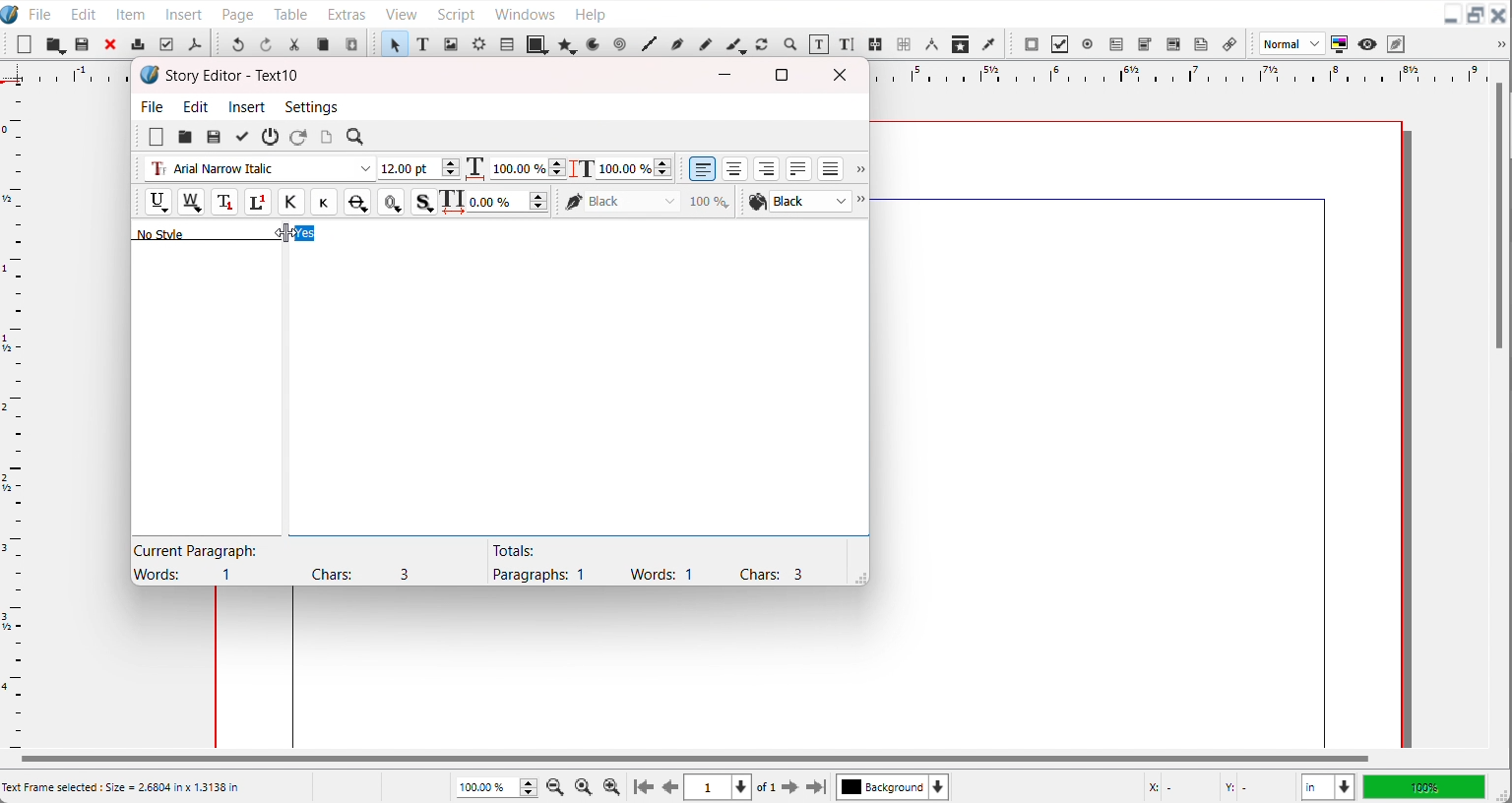 The height and width of the screenshot is (803, 1512). Describe the element at coordinates (595, 43) in the screenshot. I see `Arc` at that location.